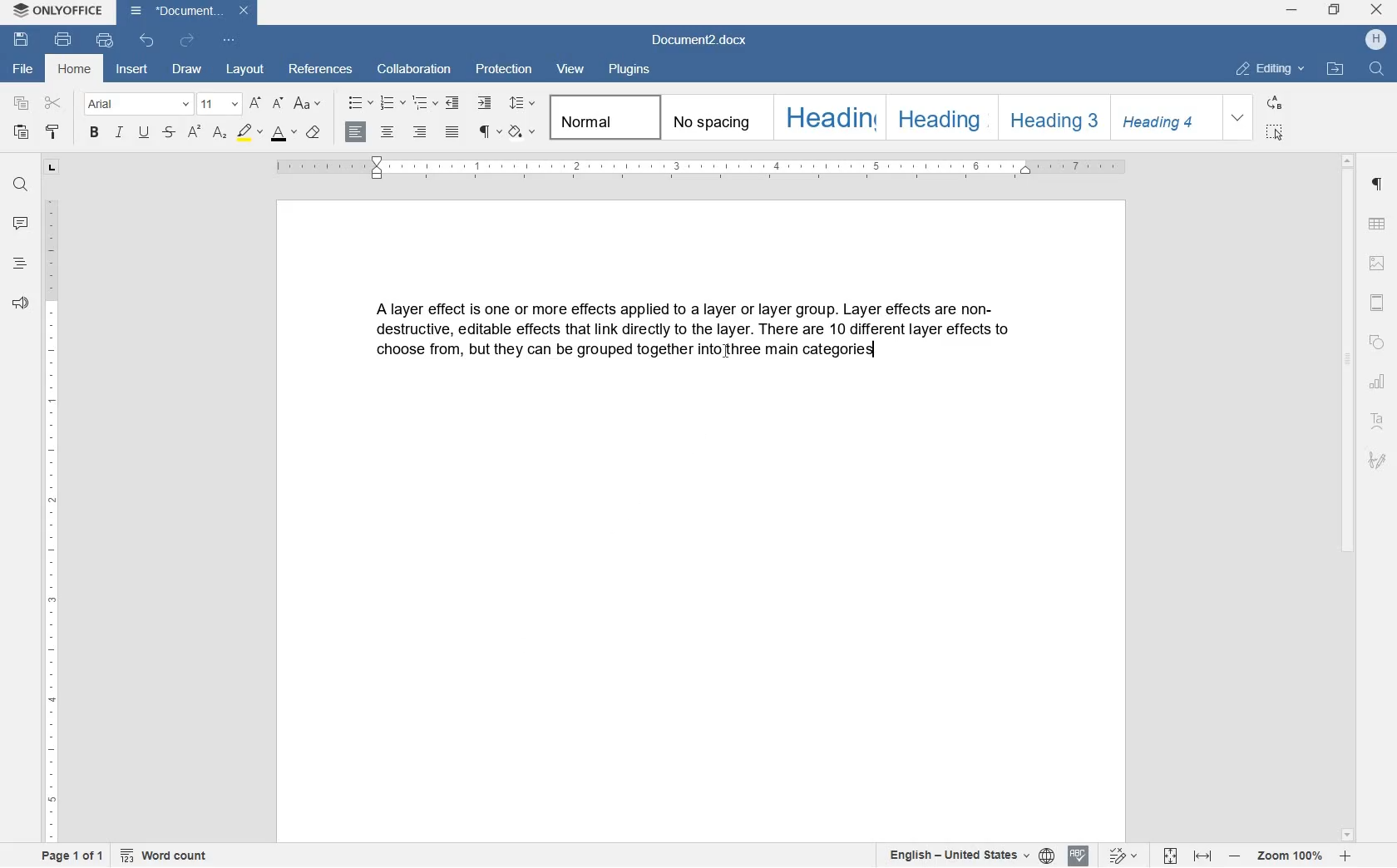 The image size is (1397, 868). I want to click on tab, so click(52, 167).